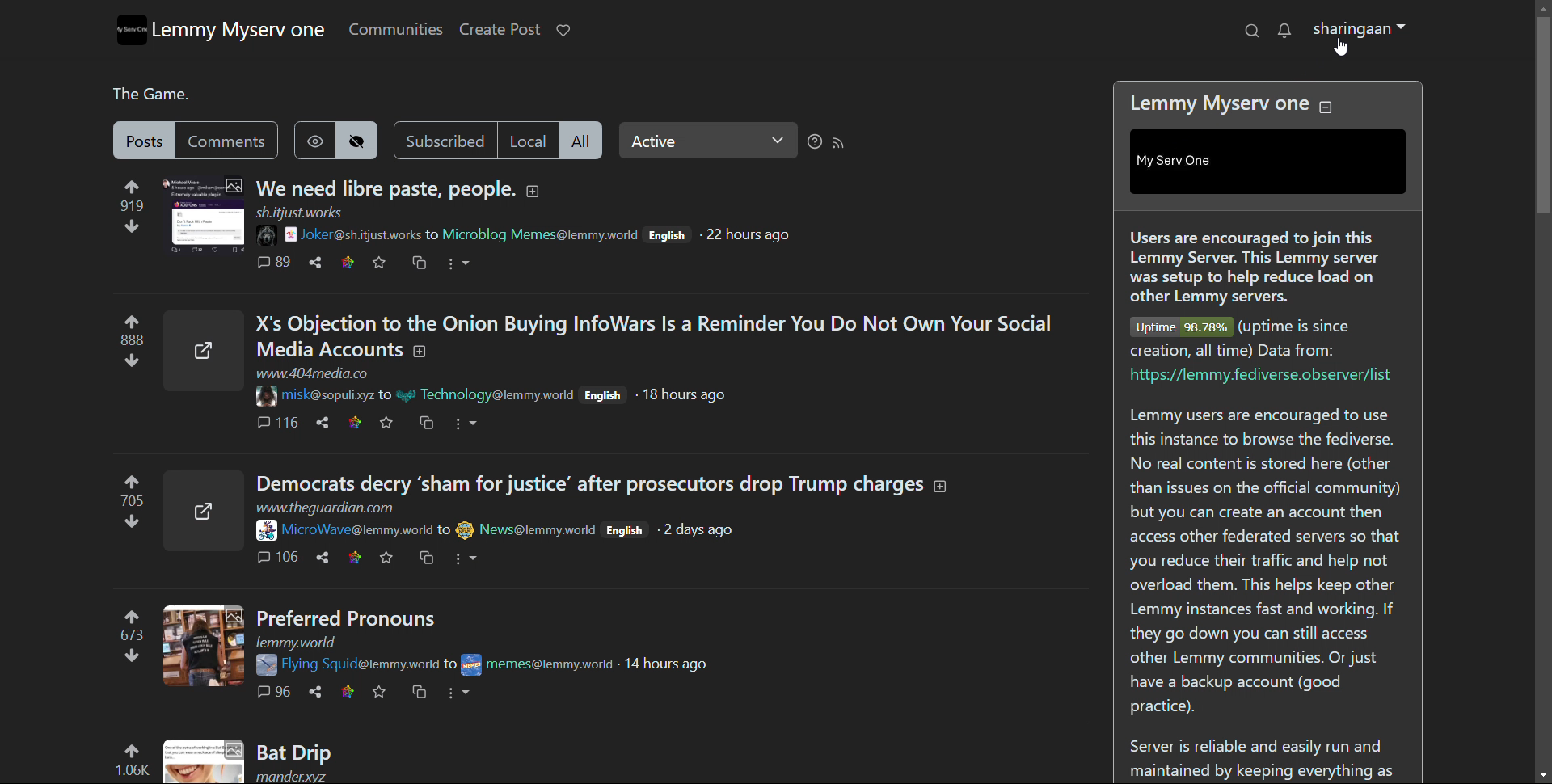 This screenshot has width=1552, height=784. I want to click on URL, so click(302, 642).